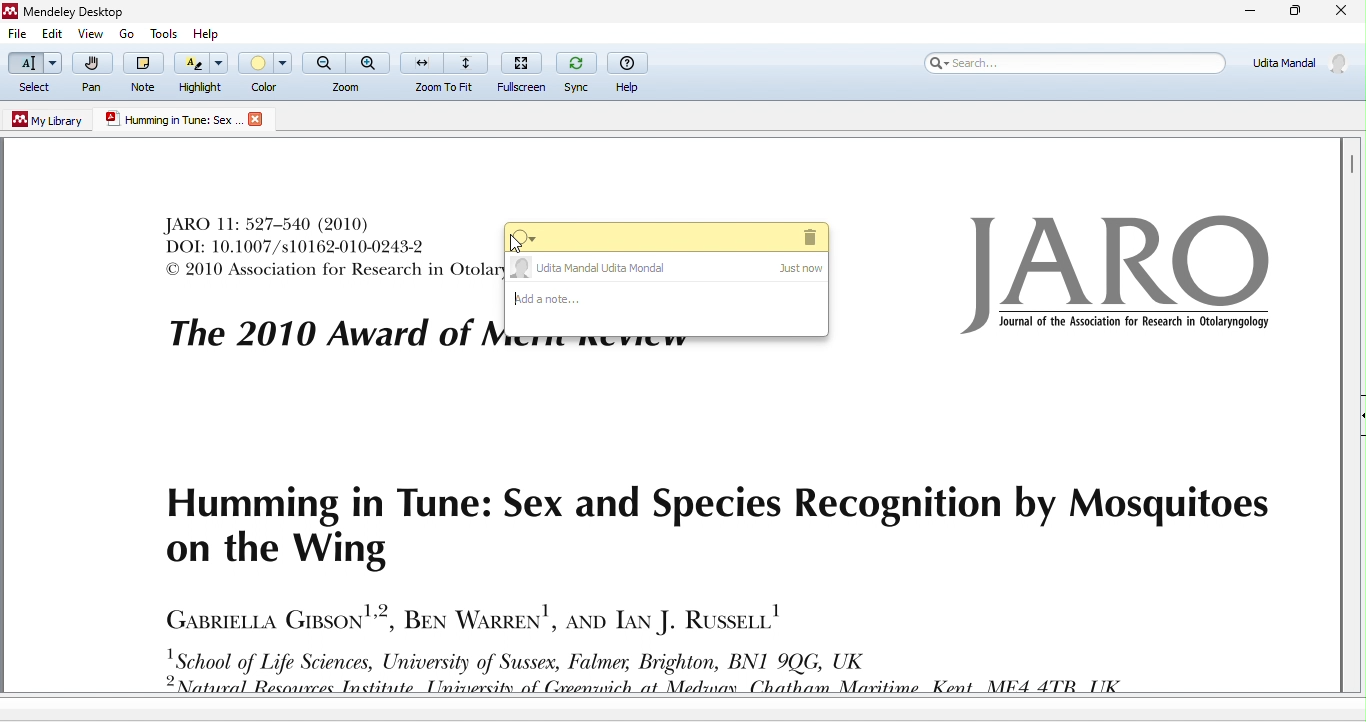 The width and height of the screenshot is (1366, 722). Describe the element at coordinates (124, 34) in the screenshot. I see `go` at that location.